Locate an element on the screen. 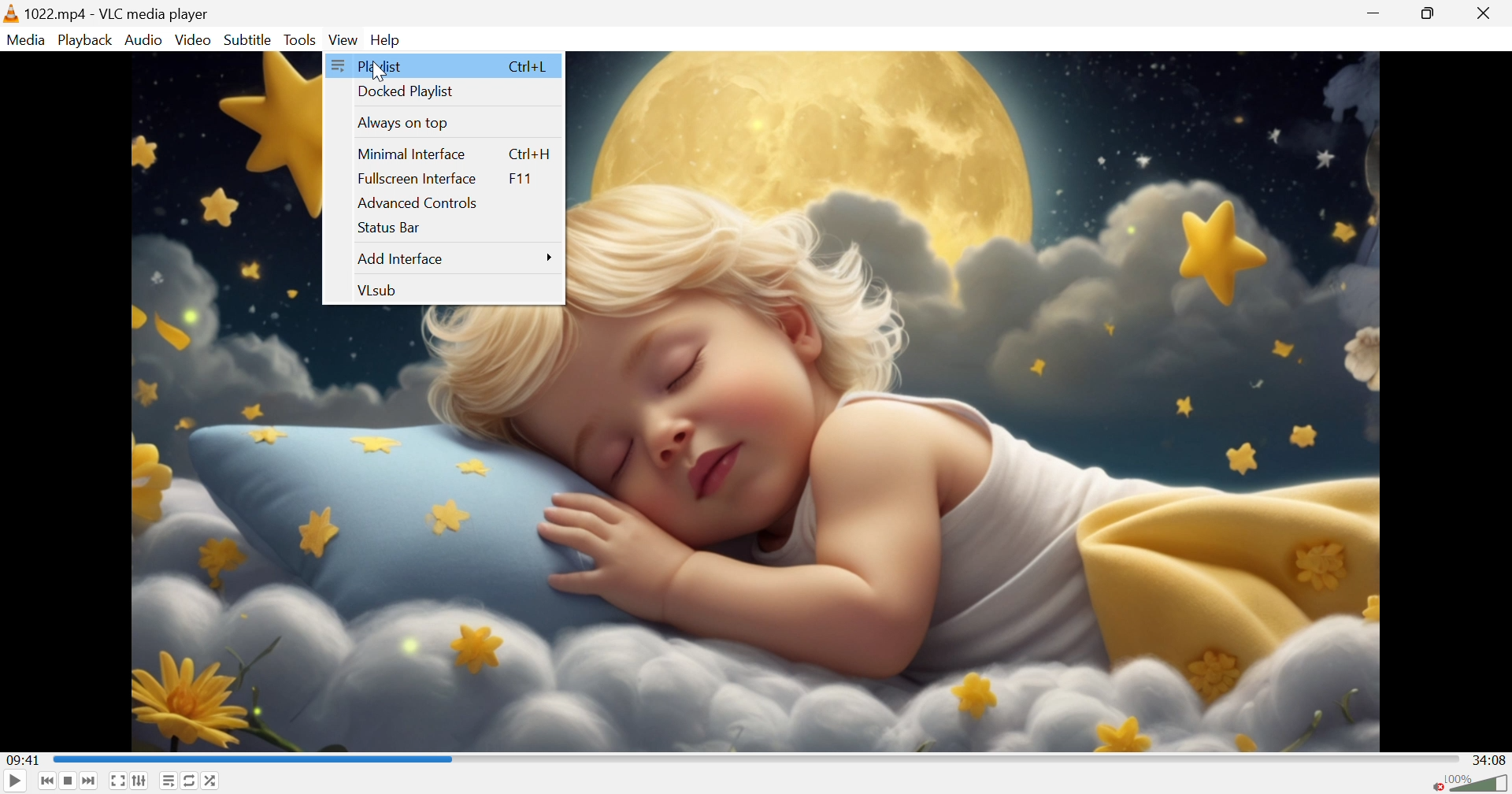 The height and width of the screenshot is (794, 1512). Restore down is located at coordinates (1430, 13).